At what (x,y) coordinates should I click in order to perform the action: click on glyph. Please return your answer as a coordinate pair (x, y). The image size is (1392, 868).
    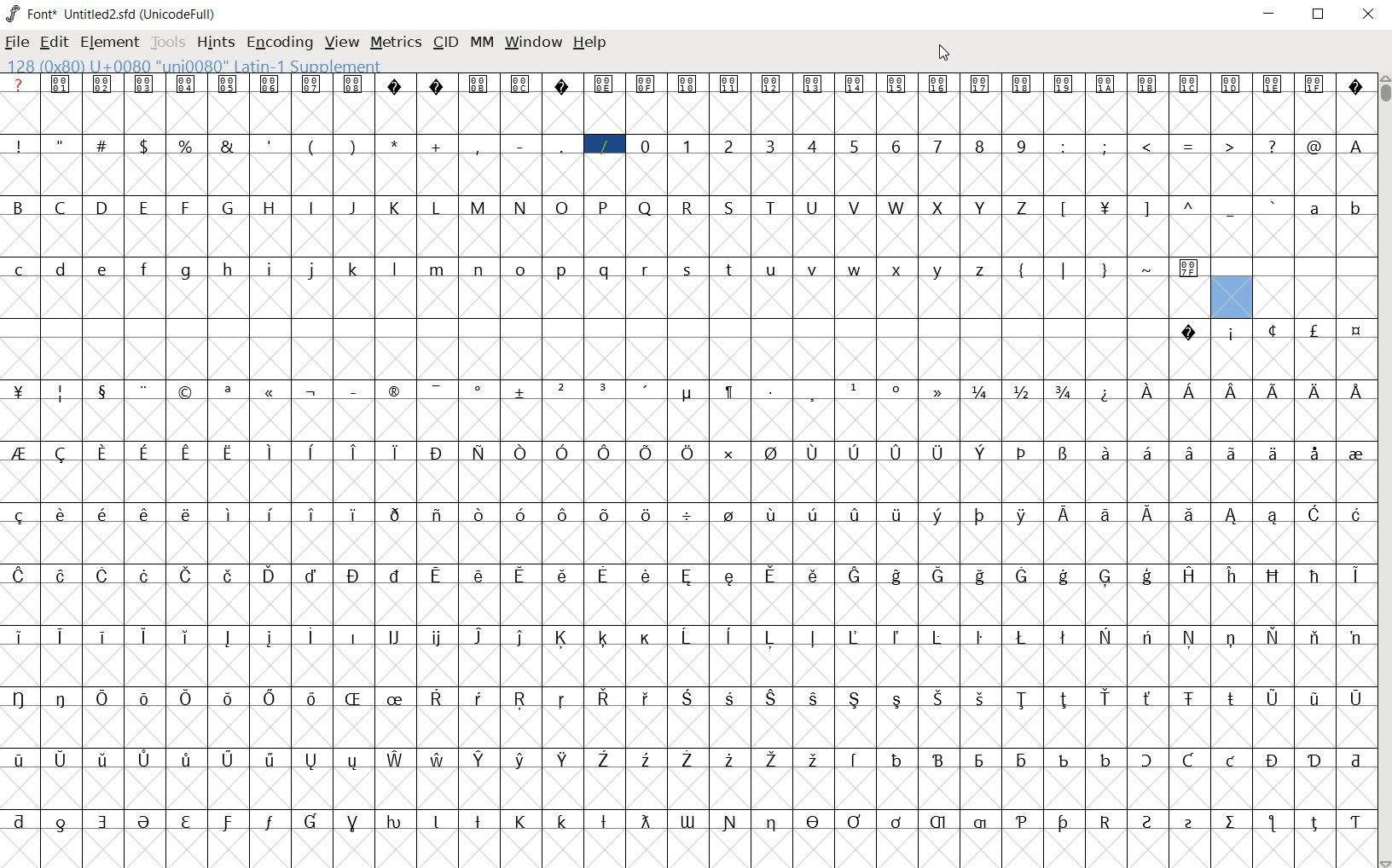
    Looking at the image, I should click on (1357, 332).